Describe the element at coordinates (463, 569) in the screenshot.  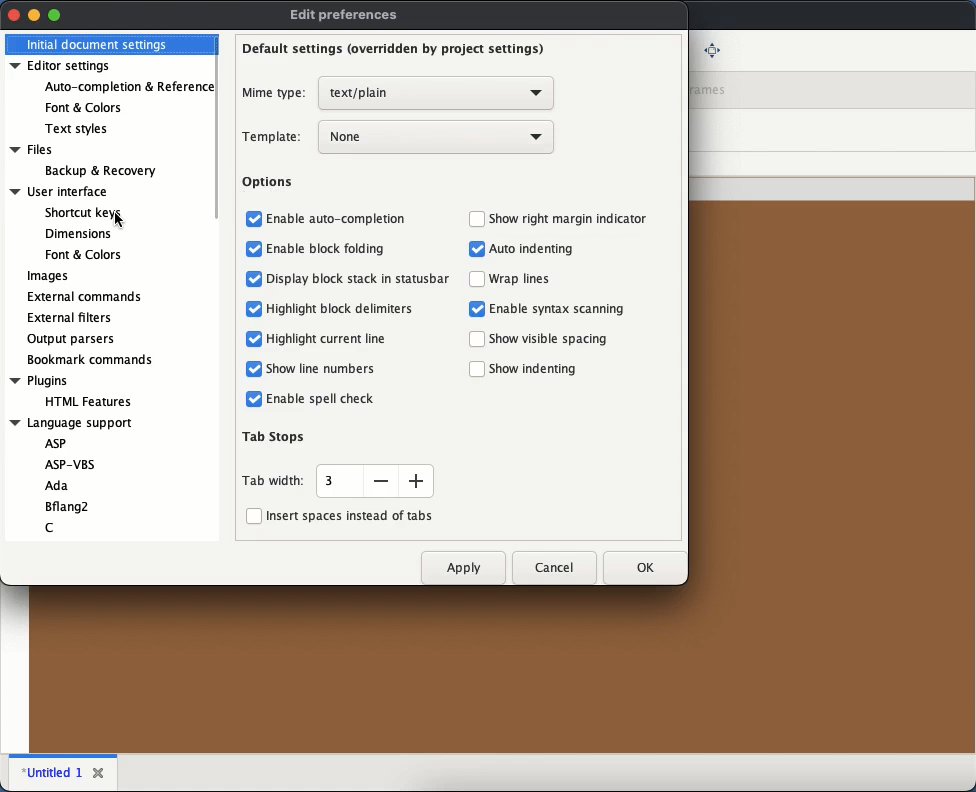
I see `apply` at that location.